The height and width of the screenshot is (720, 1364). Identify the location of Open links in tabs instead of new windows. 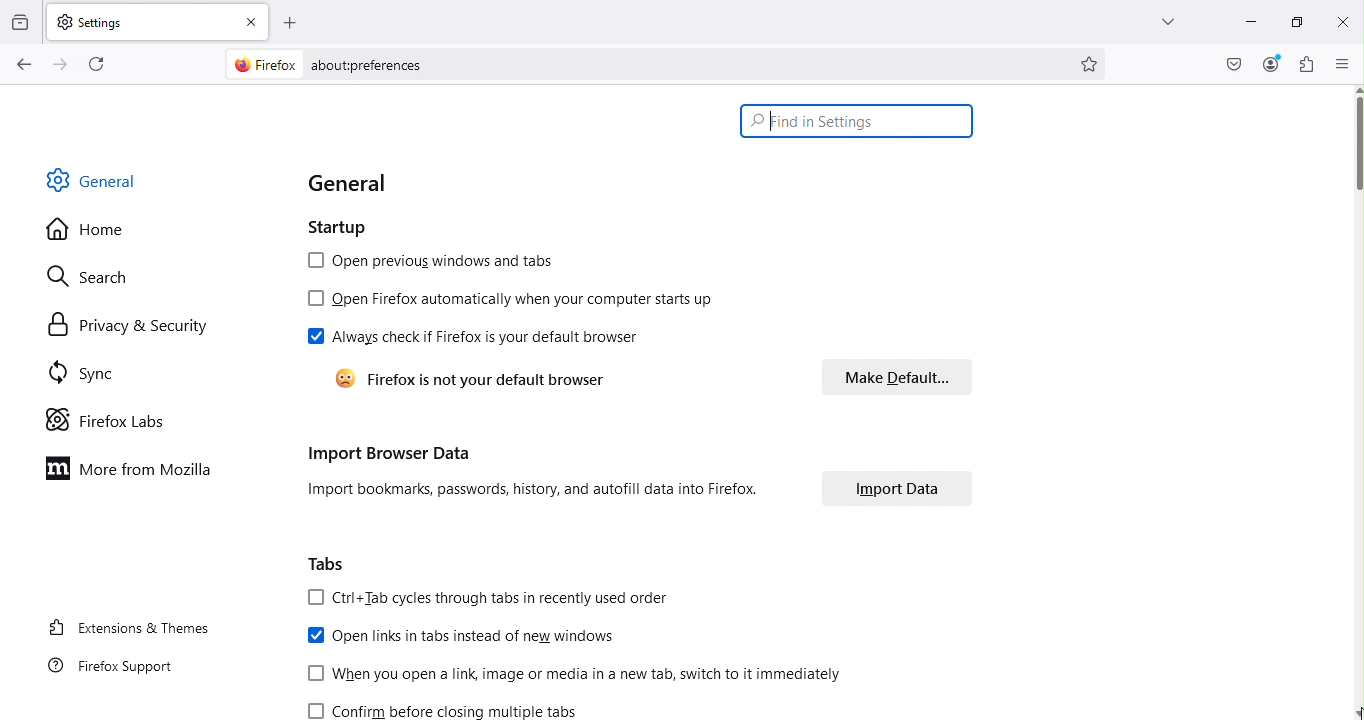
(460, 638).